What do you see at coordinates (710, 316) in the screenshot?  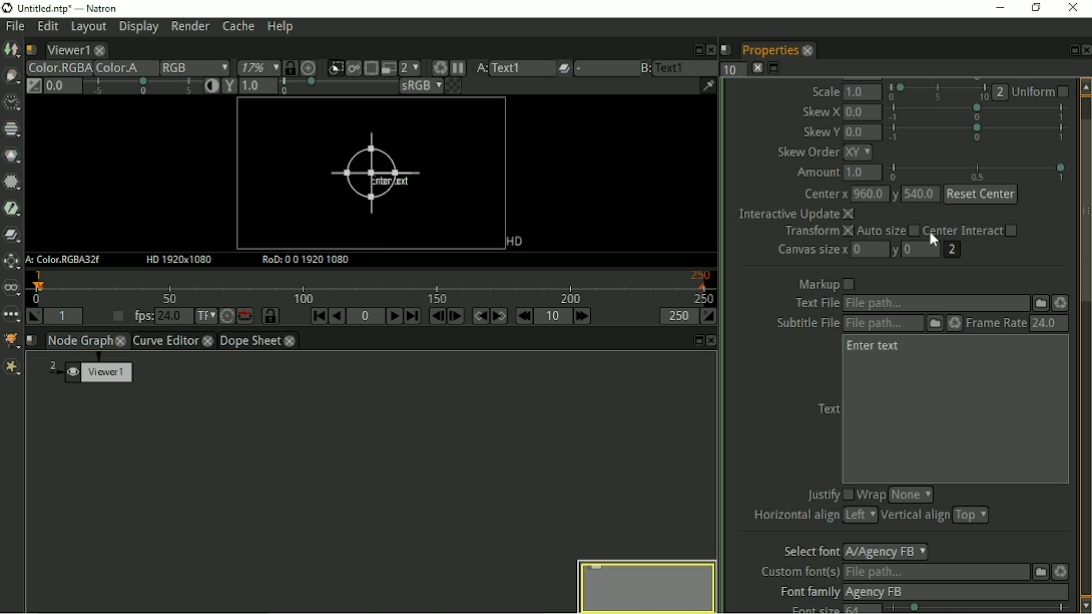 I see `Set the playback out point at the current frame` at bounding box center [710, 316].